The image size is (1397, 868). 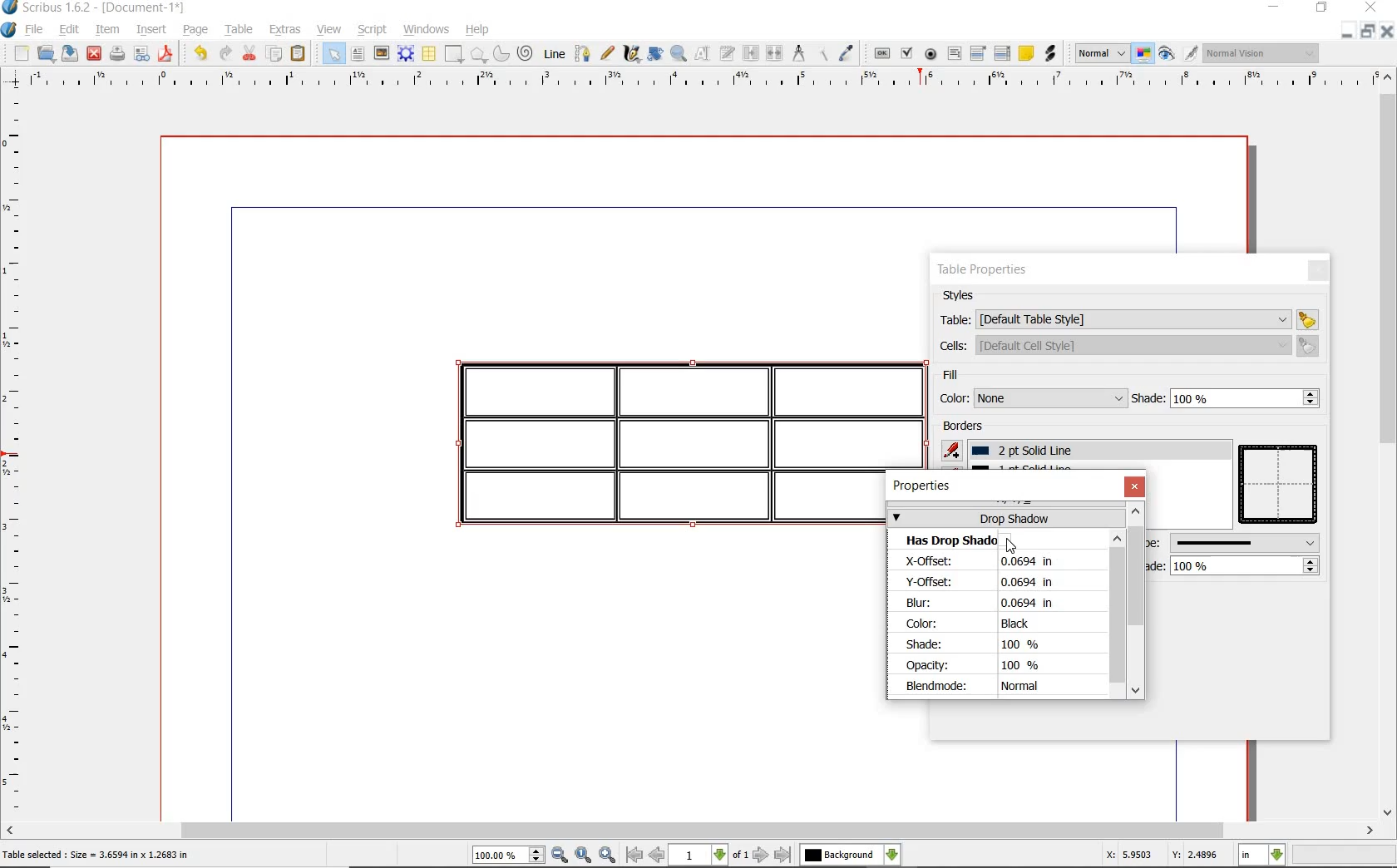 What do you see at coordinates (964, 296) in the screenshot?
I see `styles` at bounding box center [964, 296].